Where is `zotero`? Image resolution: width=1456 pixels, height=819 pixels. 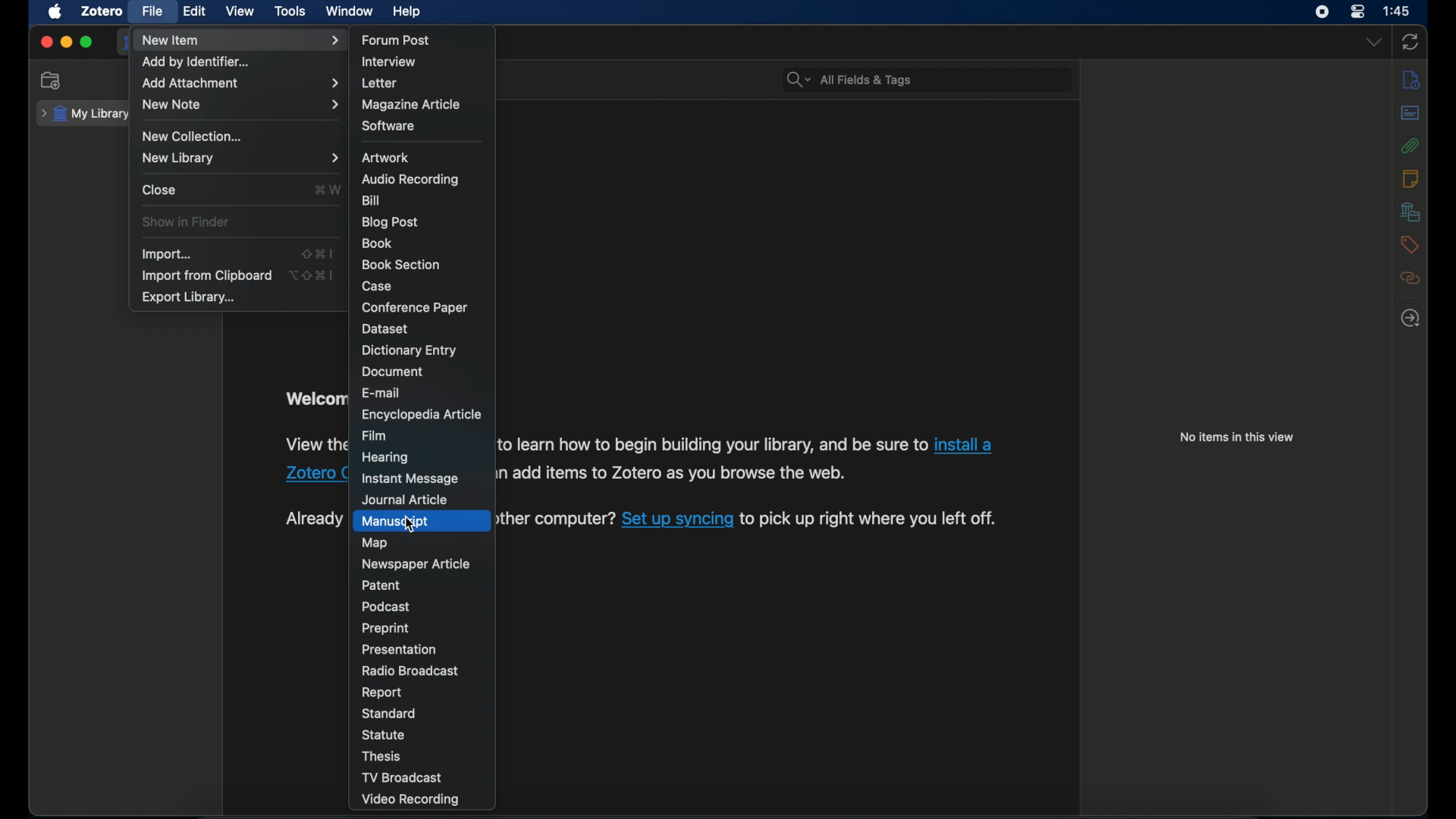 zotero is located at coordinates (103, 11).